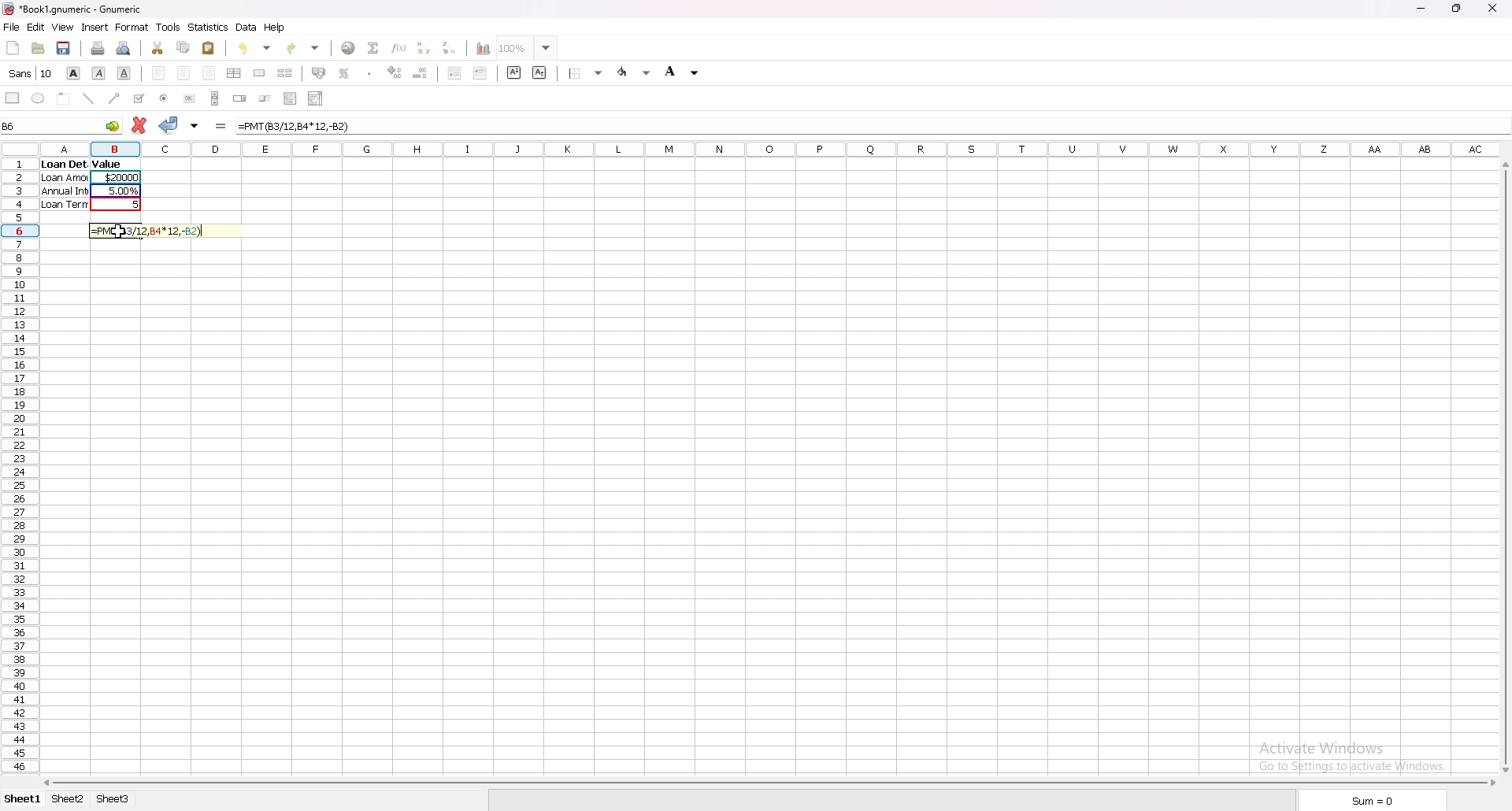 The image size is (1512, 811). What do you see at coordinates (1505, 465) in the screenshot?
I see `scroll bar` at bounding box center [1505, 465].